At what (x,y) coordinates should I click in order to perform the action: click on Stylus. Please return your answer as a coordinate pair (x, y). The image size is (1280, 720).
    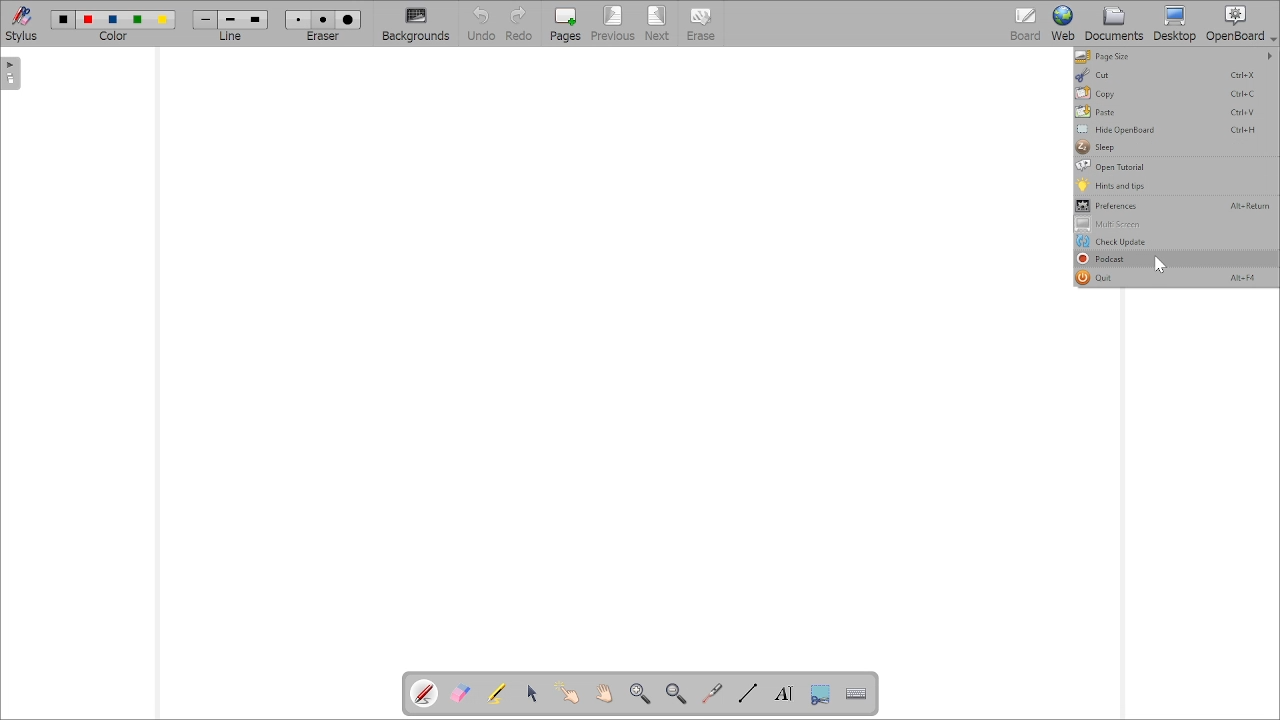
    Looking at the image, I should click on (22, 24).